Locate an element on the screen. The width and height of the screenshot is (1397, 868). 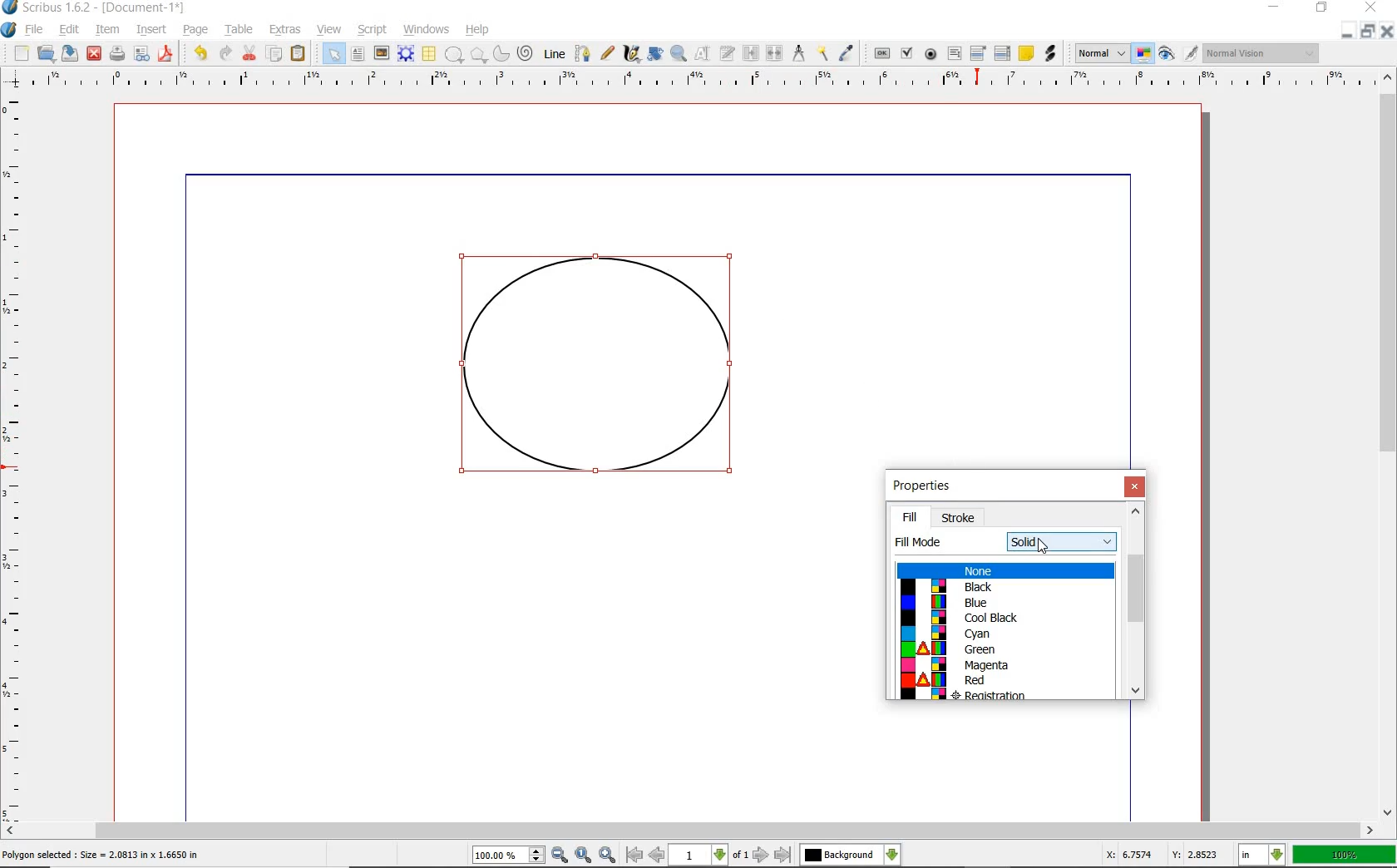
RULER is located at coordinates (694, 81).